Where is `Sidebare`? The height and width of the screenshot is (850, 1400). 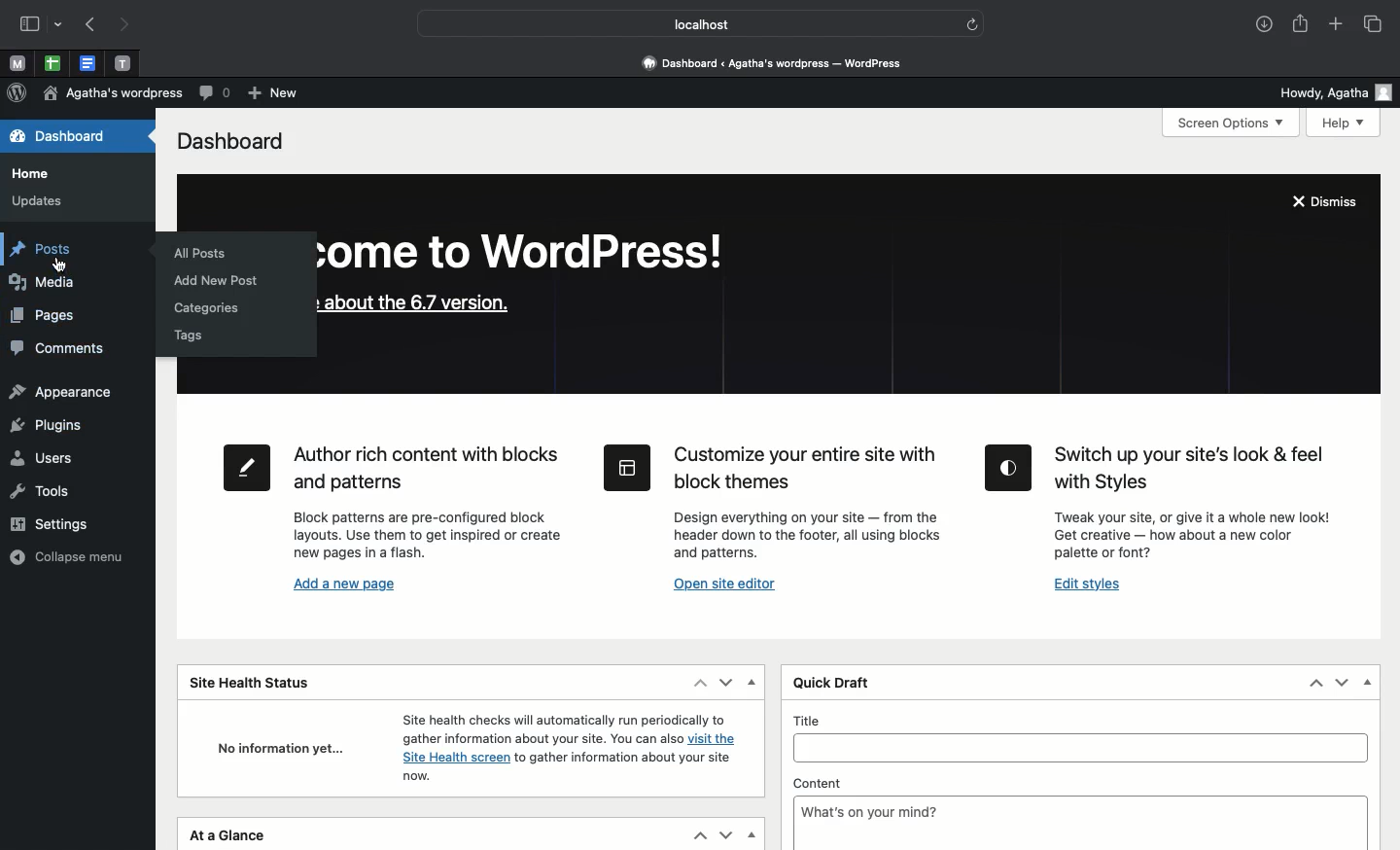 Sidebare is located at coordinates (30, 26).